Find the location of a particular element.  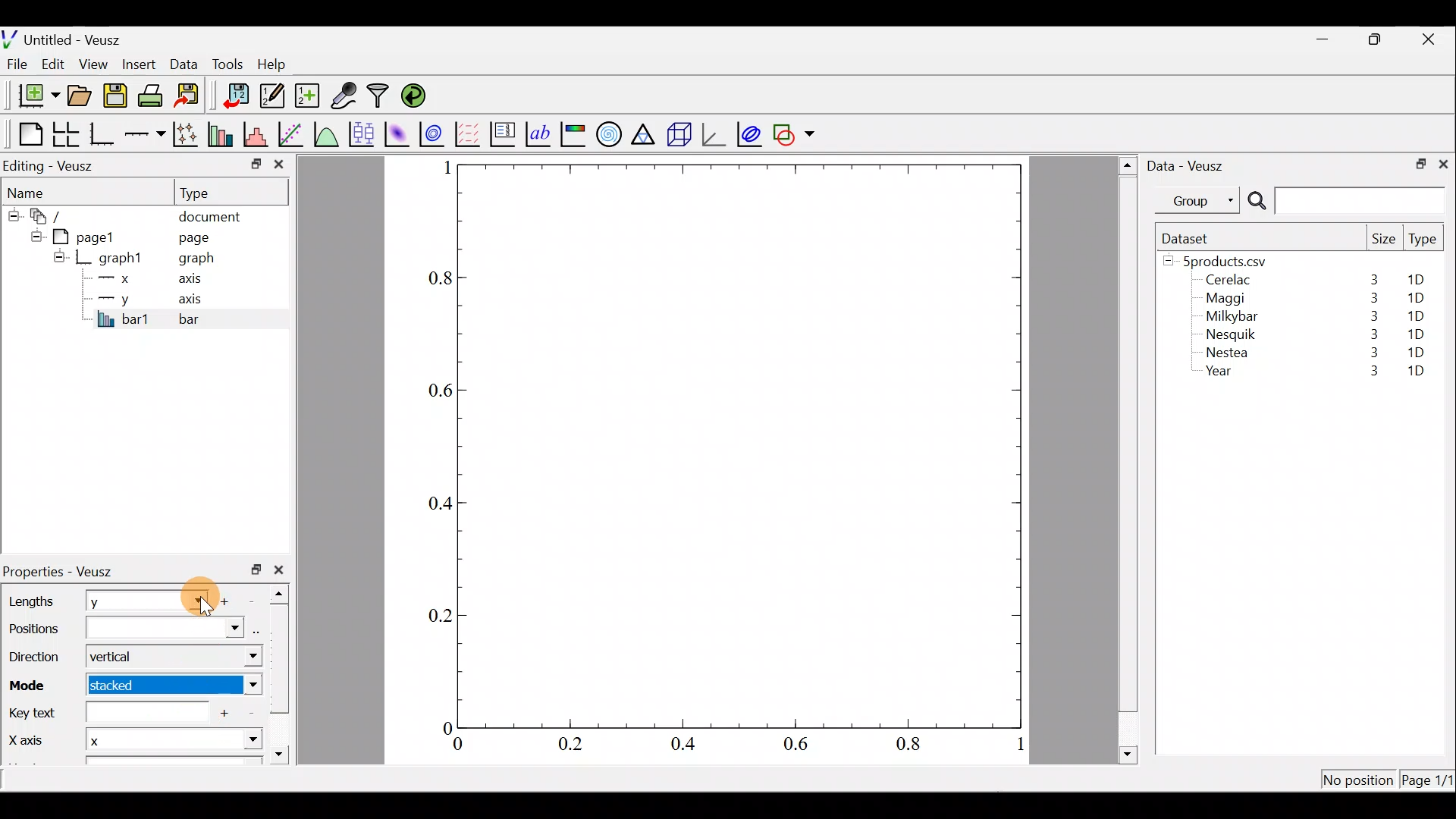

Import data into veusz is located at coordinates (237, 96).